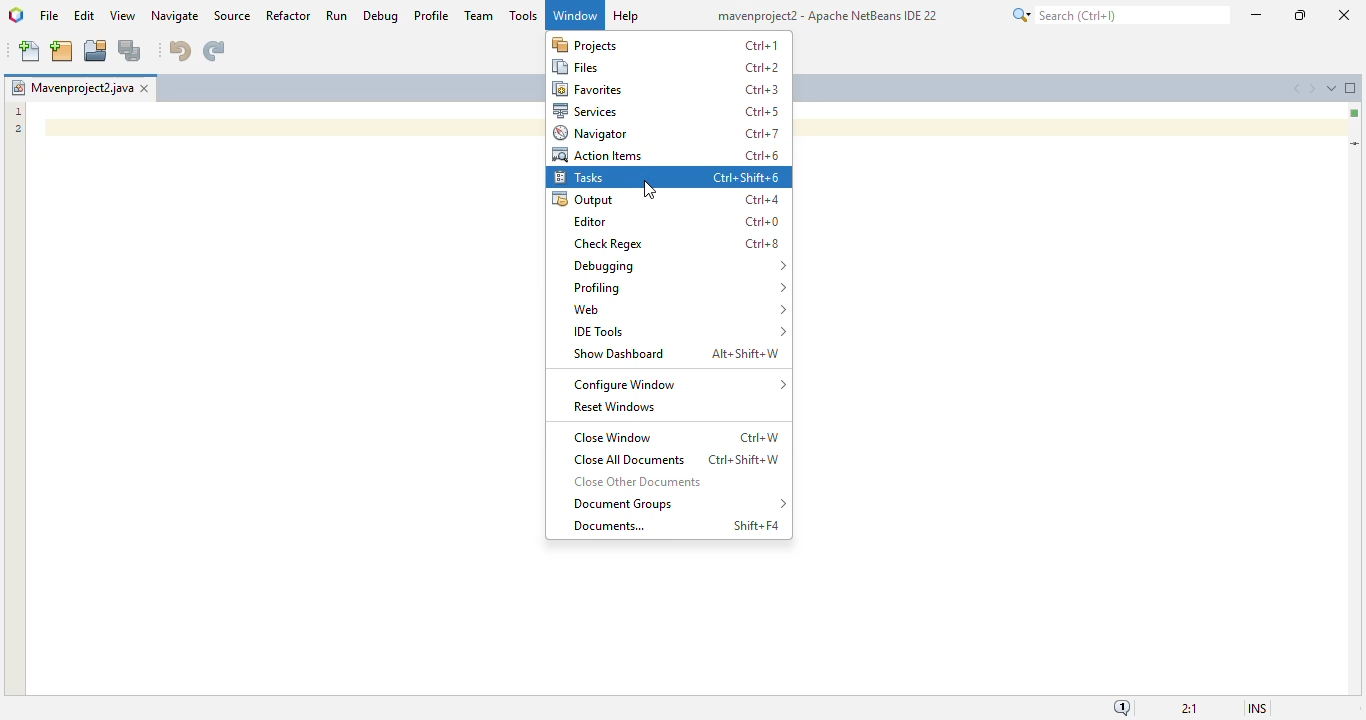 Image resolution: width=1366 pixels, height=720 pixels. I want to click on cursor, so click(649, 190).